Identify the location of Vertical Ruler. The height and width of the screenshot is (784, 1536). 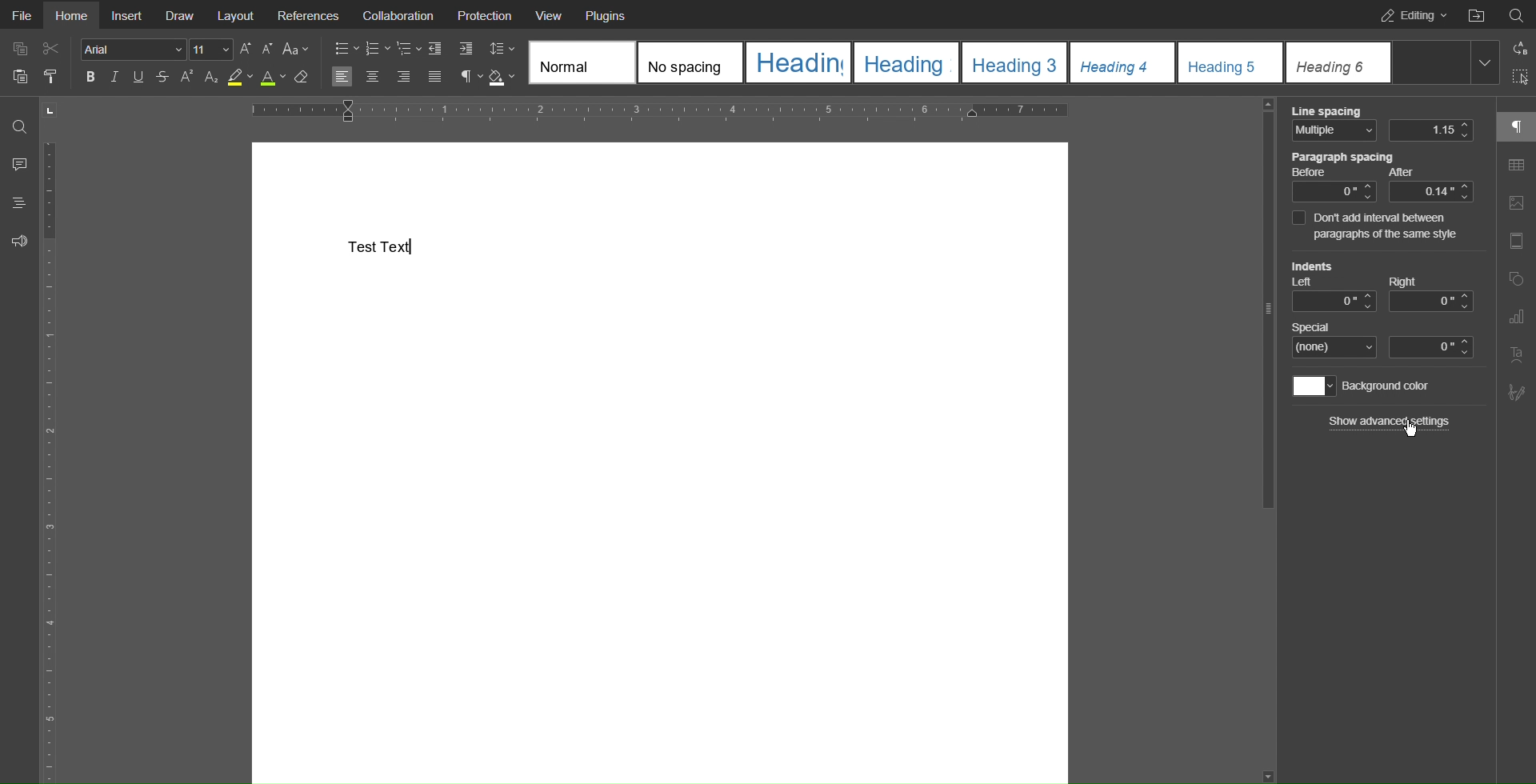
(56, 458).